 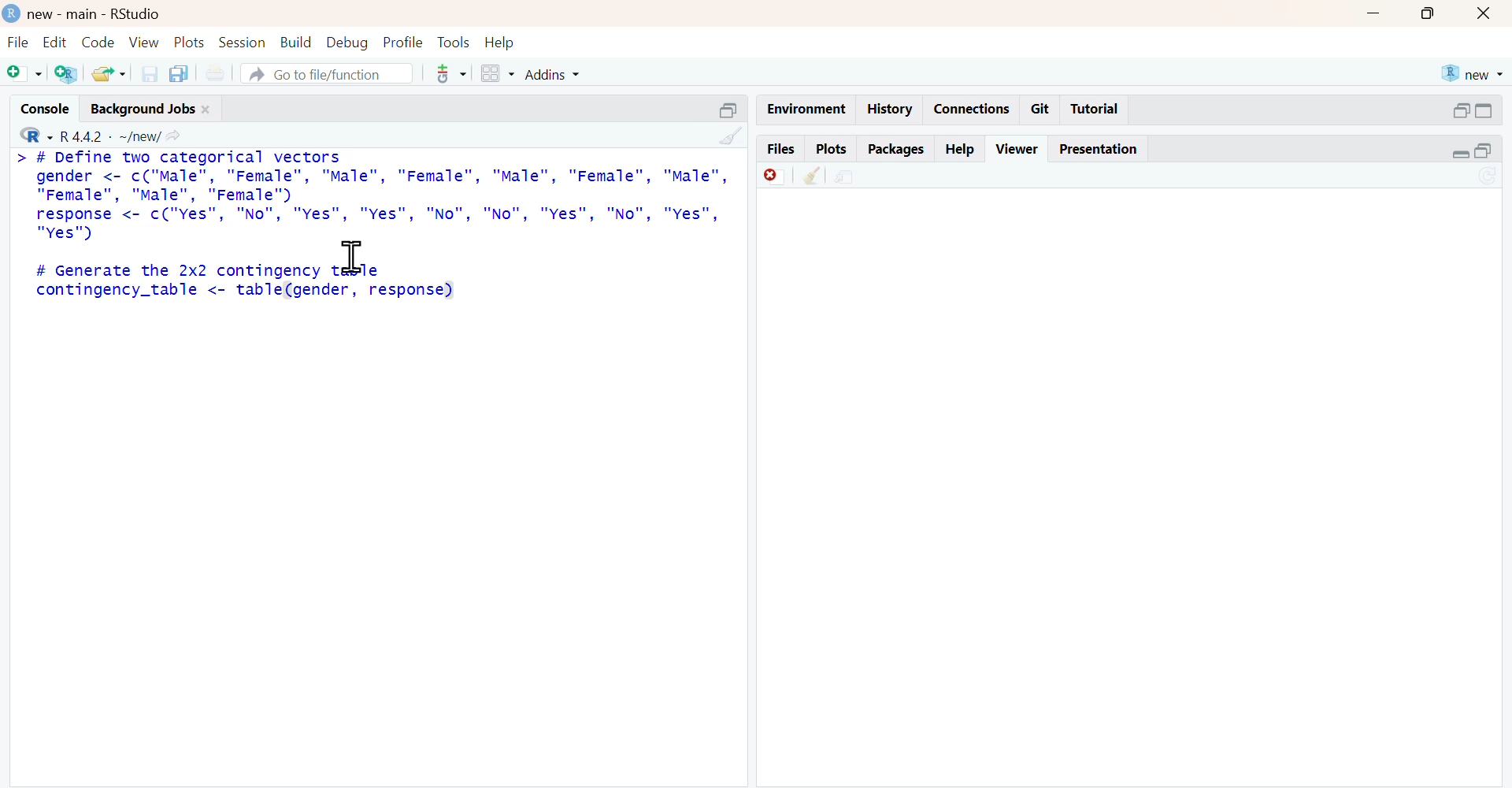 What do you see at coordinates (454, 43) in the screenshot?
I see `tools` at bounding box center [454, 43].